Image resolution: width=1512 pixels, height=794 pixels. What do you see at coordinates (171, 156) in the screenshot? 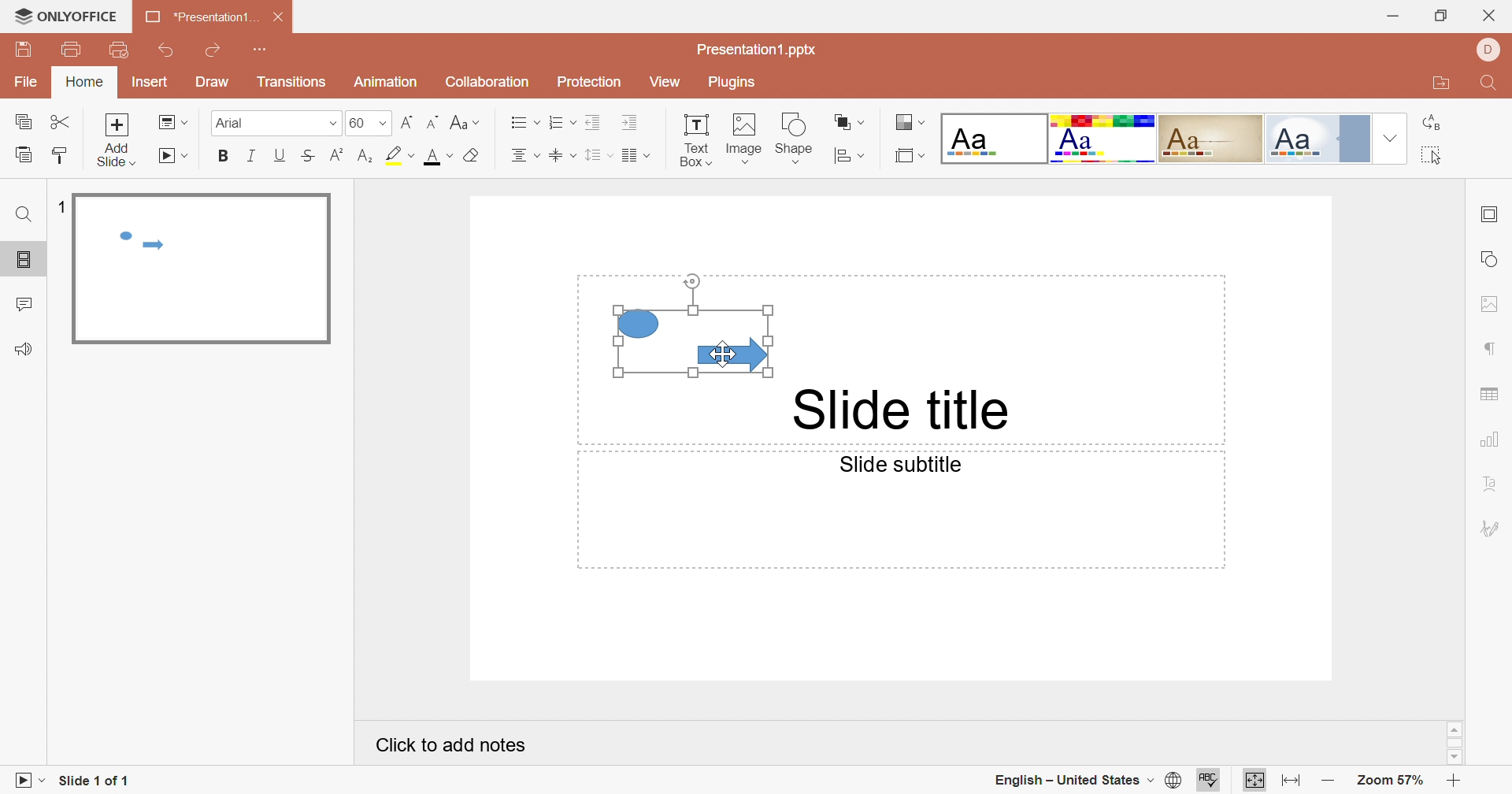
I see `Start slideshow` at bounding box center [171, 156].